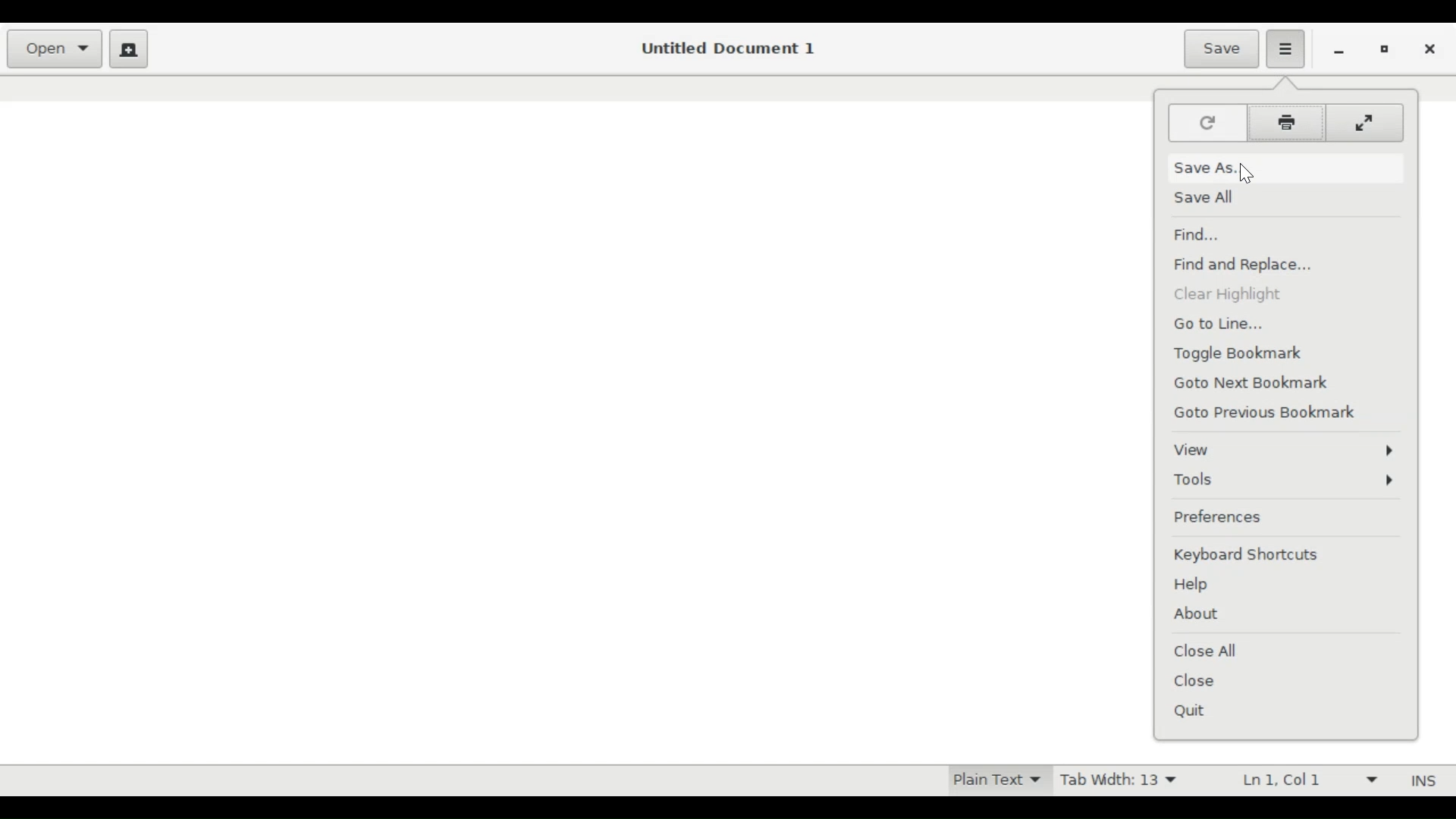  Describe the element at coordinates (1232, 323) in the screenshot. I see `Go to Line` at that location.